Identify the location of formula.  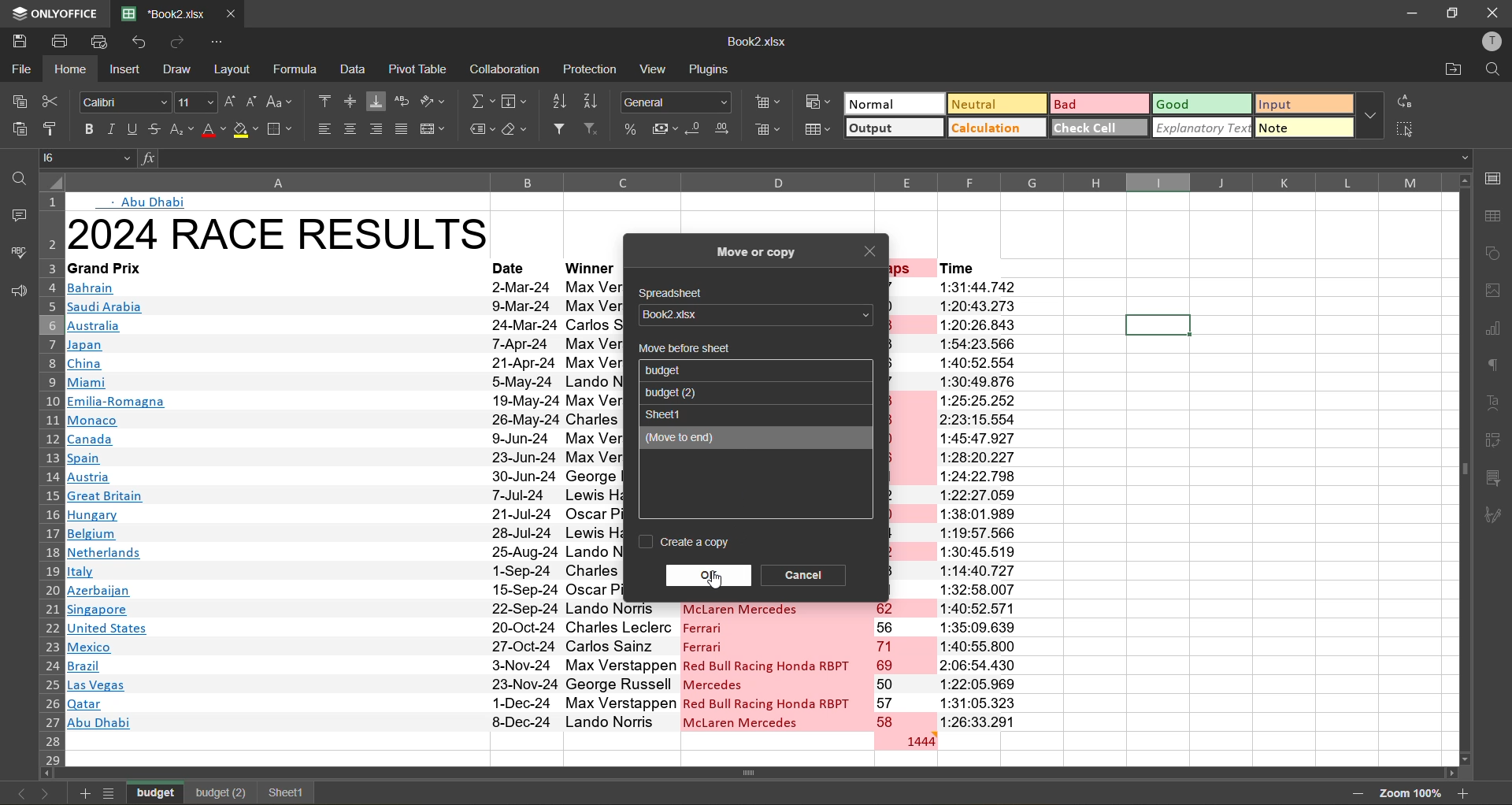
(297, 69).